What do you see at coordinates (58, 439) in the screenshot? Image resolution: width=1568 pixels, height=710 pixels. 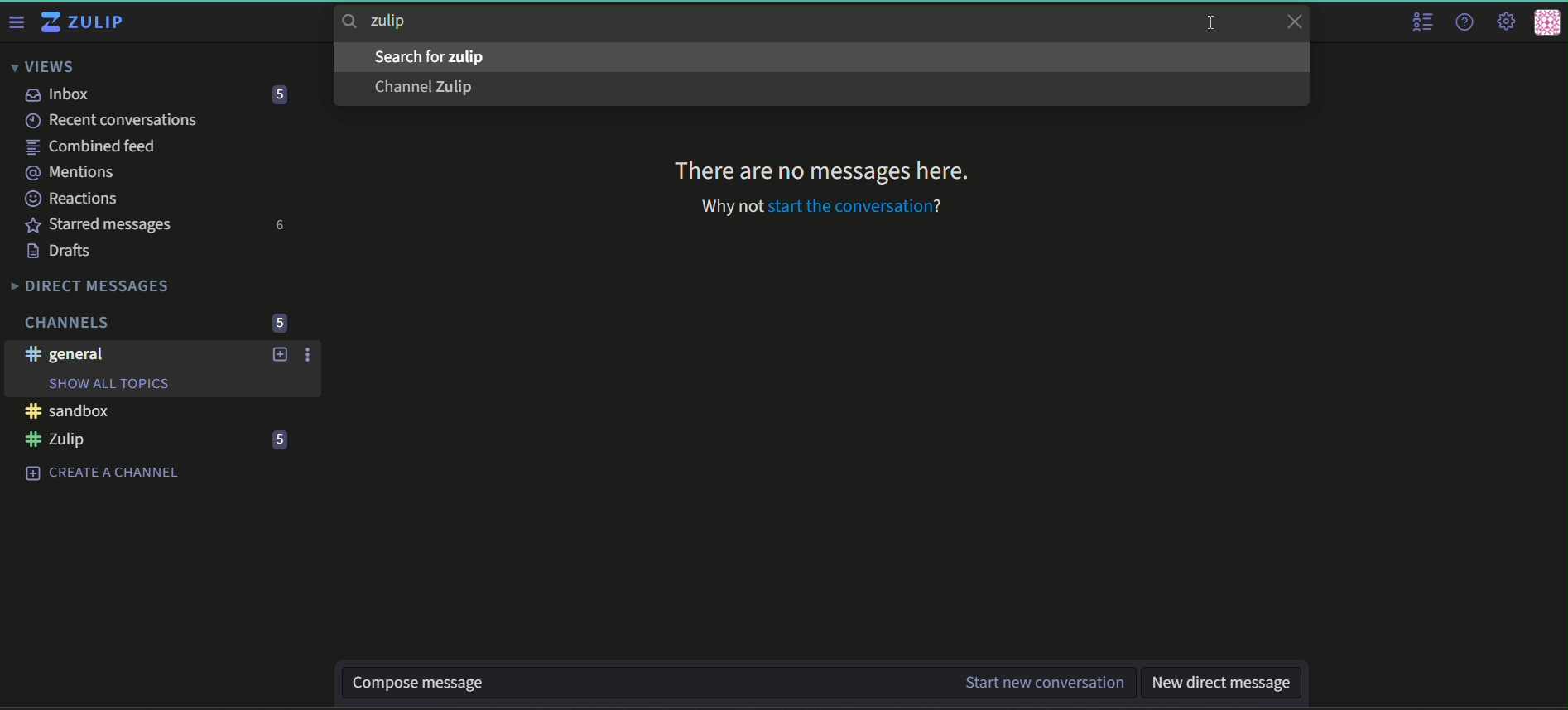 I see `#Zulip` at bounding box center [58, 439].